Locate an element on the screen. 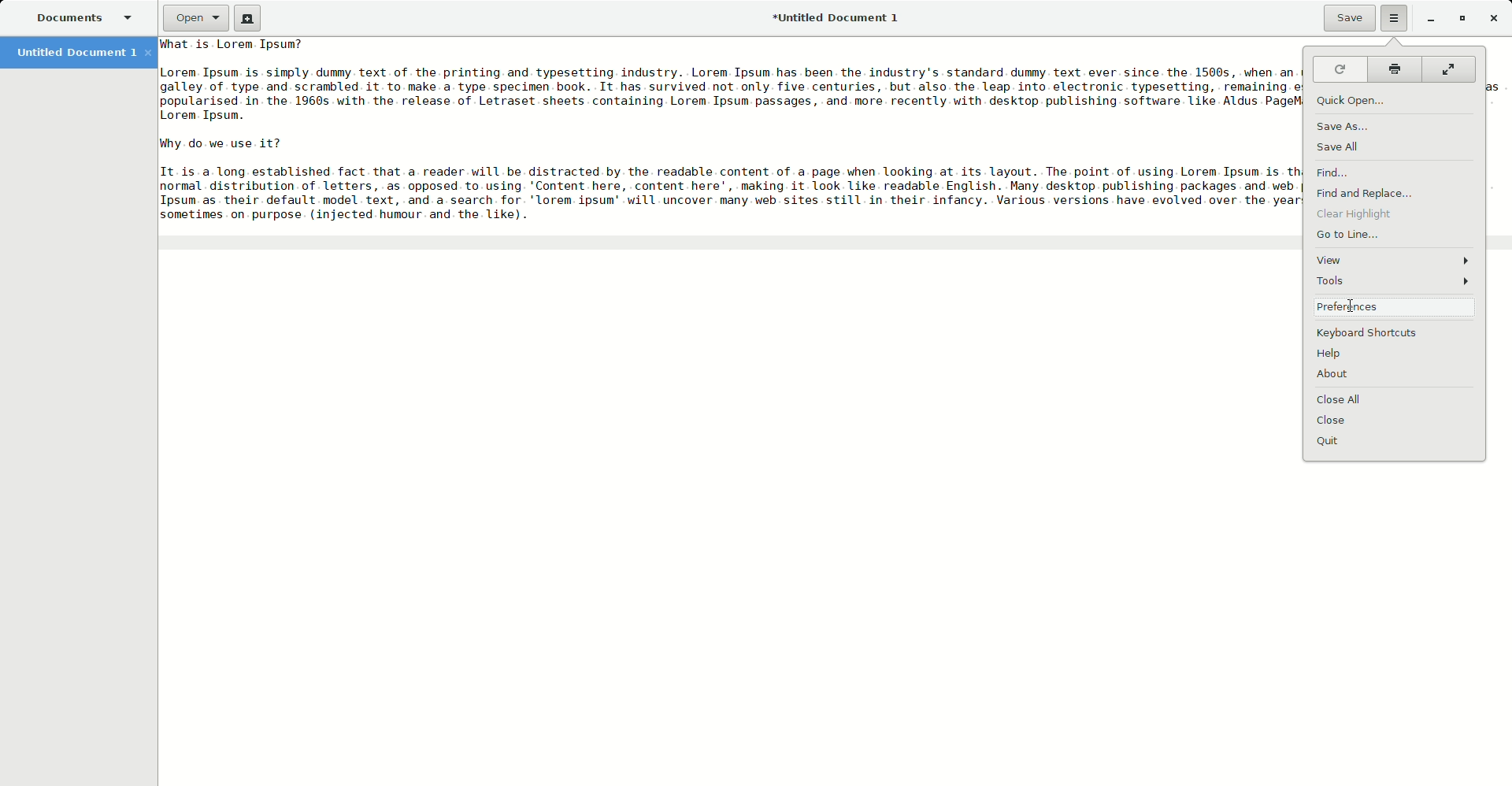 The width and height of the screenshot is (1512, 786). About is located at coordinates (1341, 375).